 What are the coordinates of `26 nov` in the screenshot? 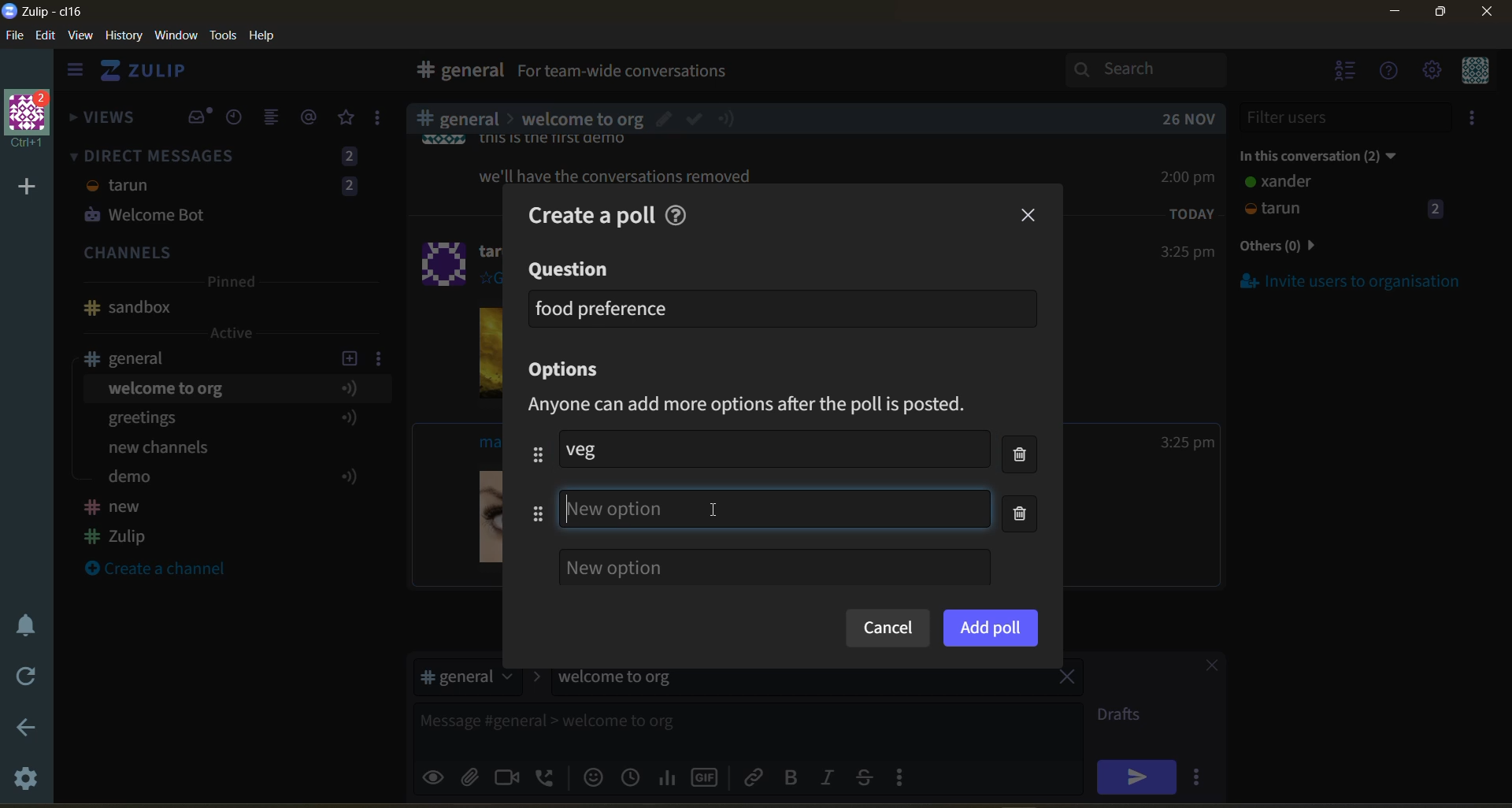 It's located at (1189, 119).